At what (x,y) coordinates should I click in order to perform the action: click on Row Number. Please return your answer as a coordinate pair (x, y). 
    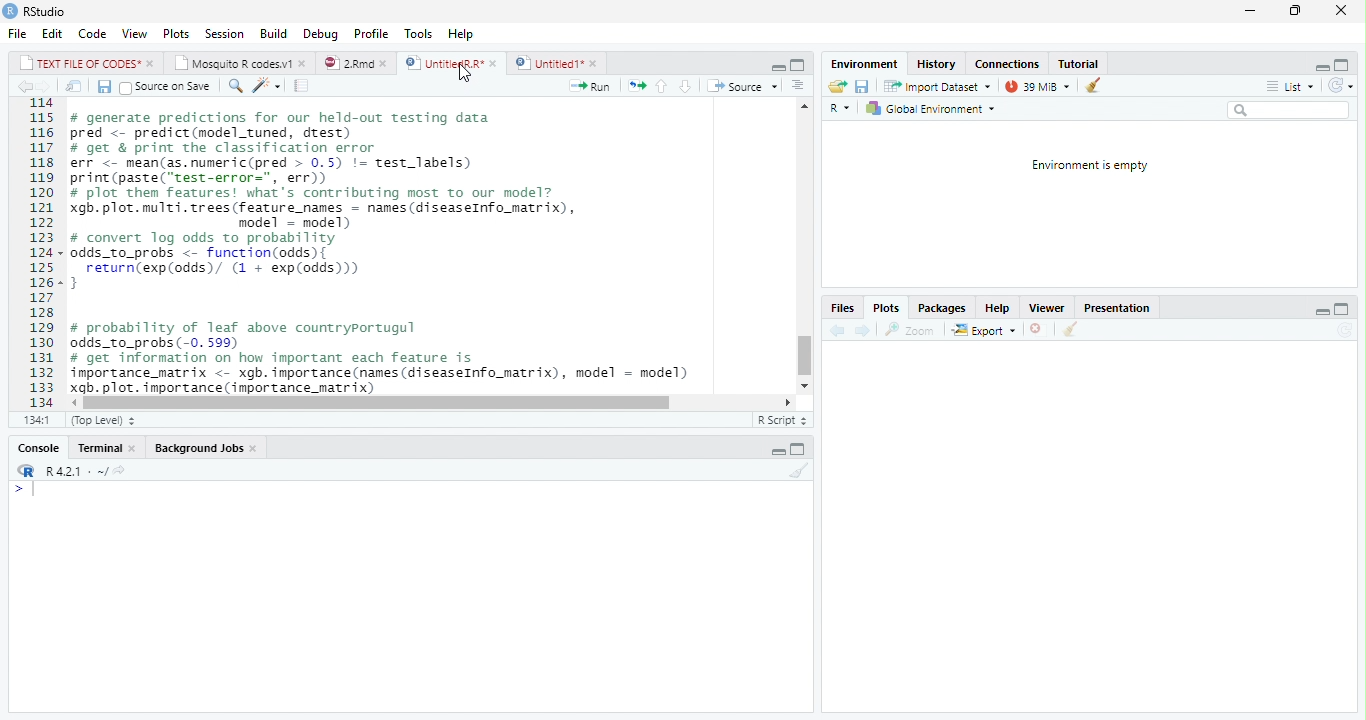
    Looking at the image, I should click on (35, 253).